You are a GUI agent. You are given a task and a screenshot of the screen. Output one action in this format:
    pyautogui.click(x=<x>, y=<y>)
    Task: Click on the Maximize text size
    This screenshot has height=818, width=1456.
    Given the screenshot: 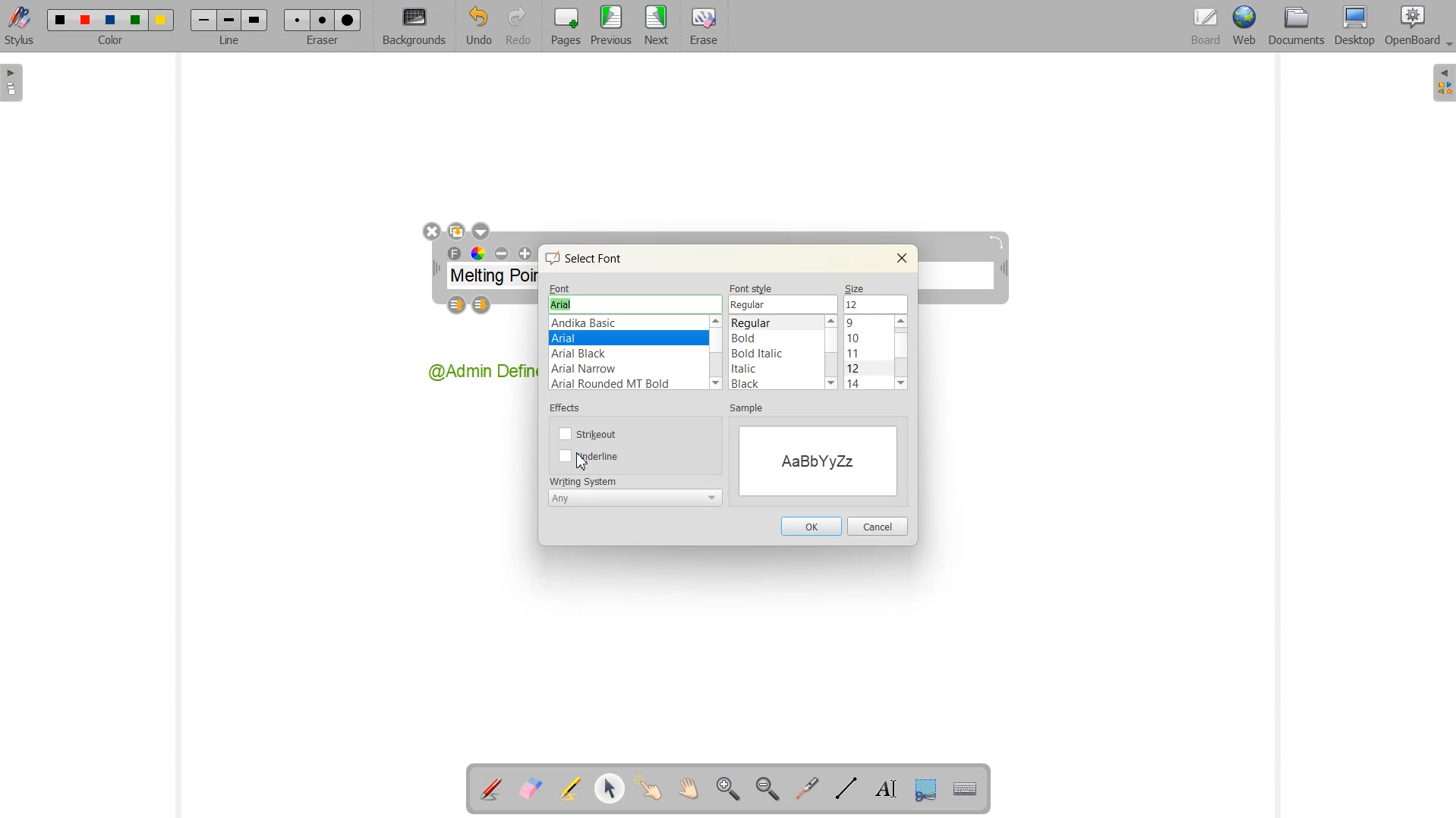 What is the action you would take?
    pyautogui.click(x=525, y=254)
    